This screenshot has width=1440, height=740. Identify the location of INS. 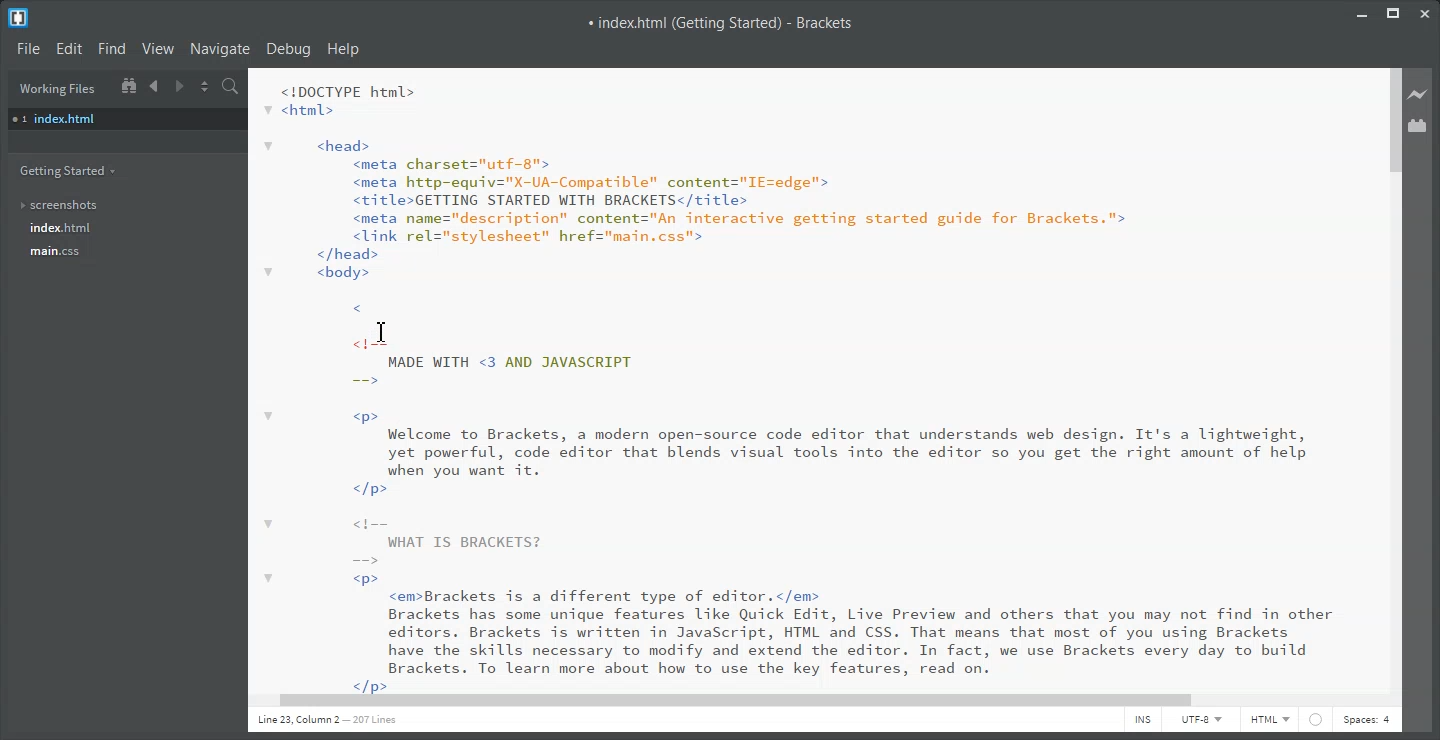
(1143, 721).